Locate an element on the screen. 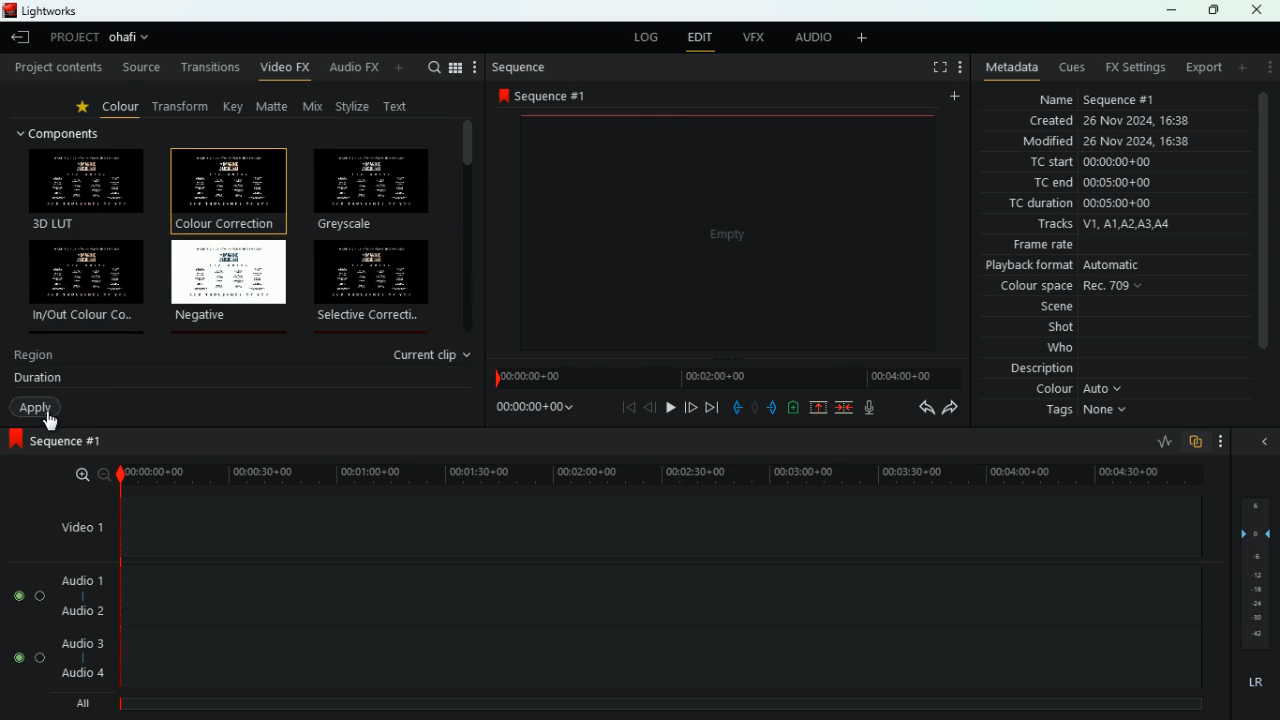  audio 1 is located at coordinates (83, 580).